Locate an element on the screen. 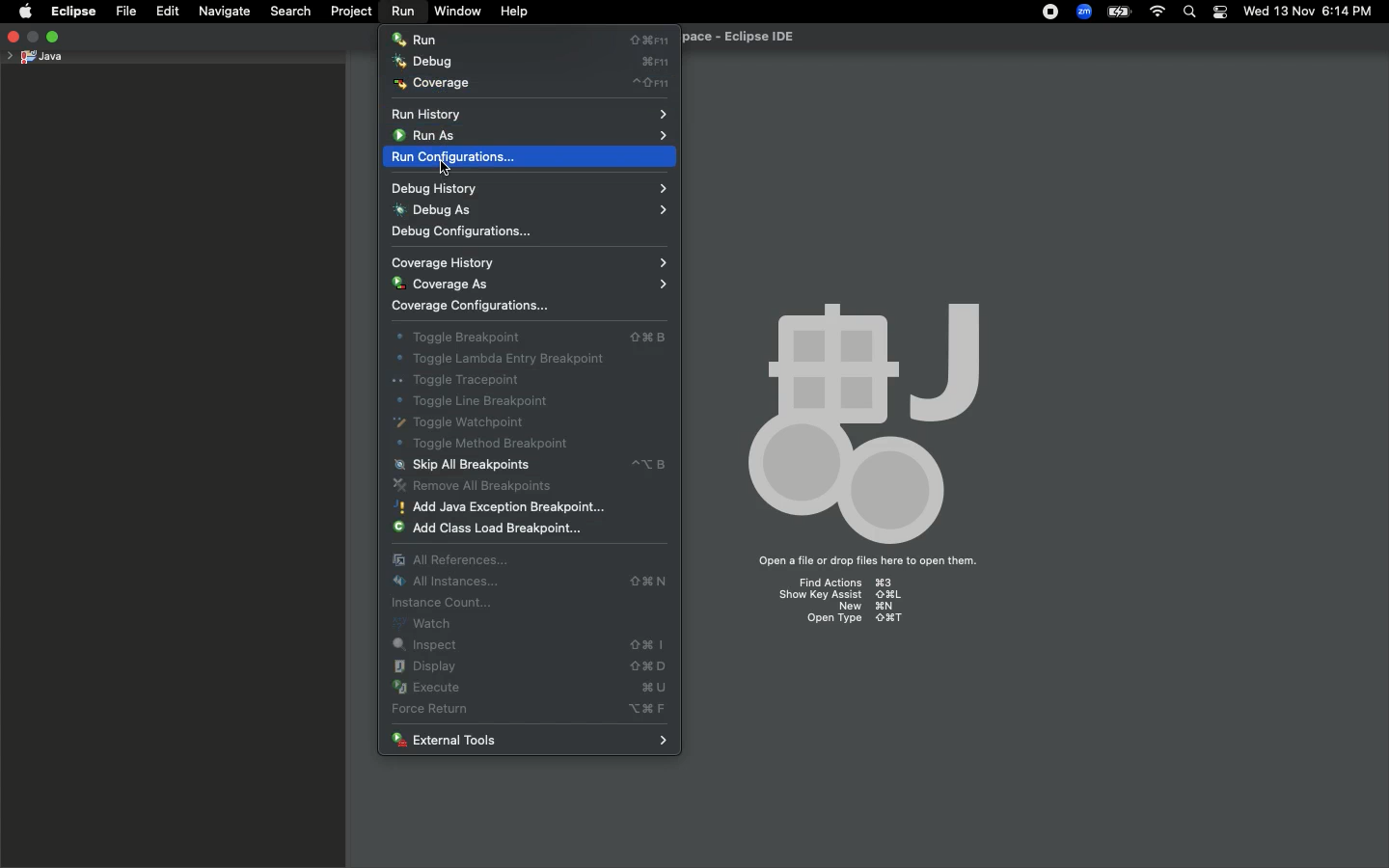 The height and width of the screenshot is (868, 1389). show key assist ⇧⌘L is located at coordinates (840, 595).